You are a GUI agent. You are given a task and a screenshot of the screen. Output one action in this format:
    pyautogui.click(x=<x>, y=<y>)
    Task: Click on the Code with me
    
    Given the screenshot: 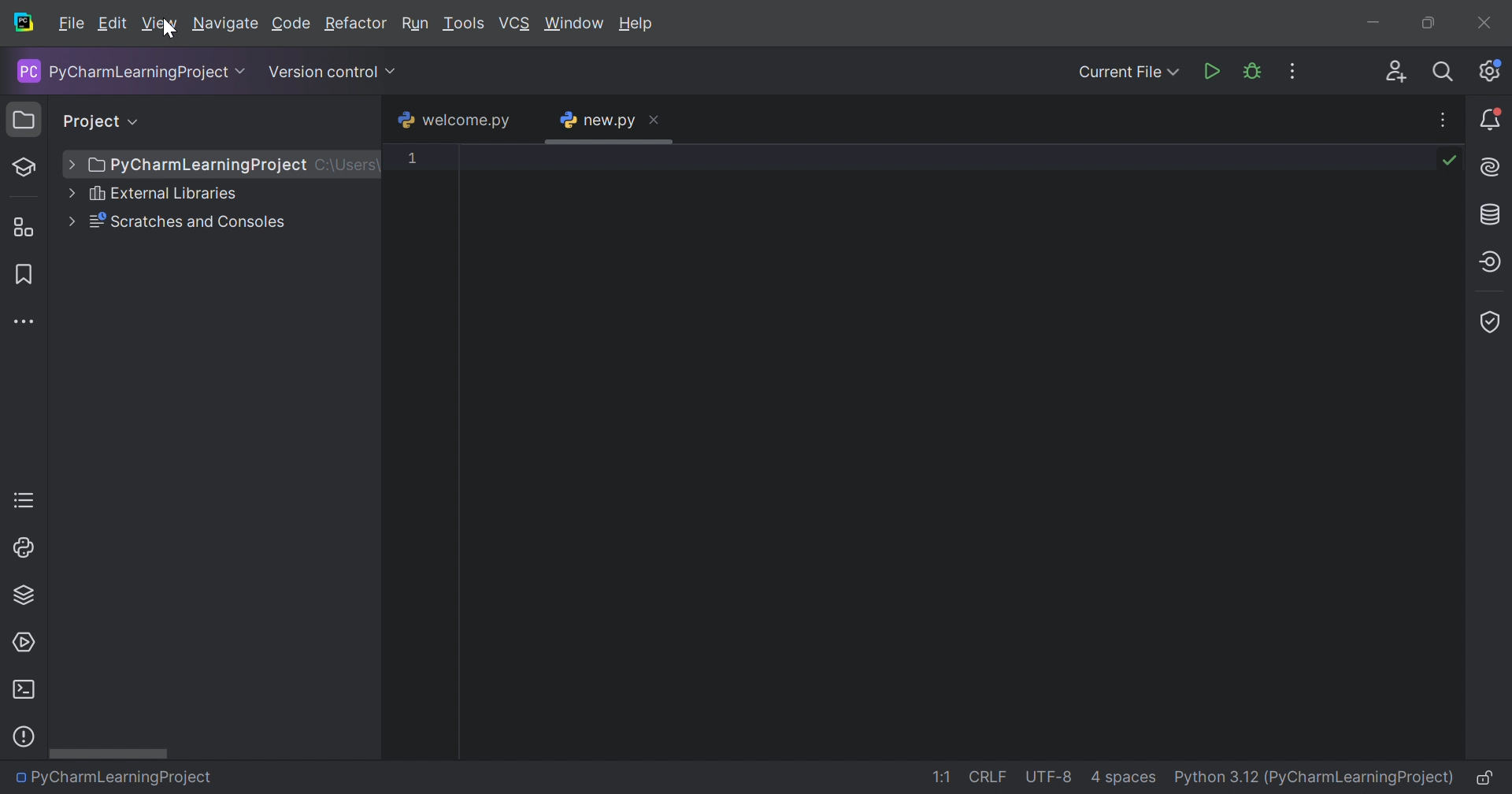 What is the action you would take?
    pyautogui.click(x=1397, y=72)
    